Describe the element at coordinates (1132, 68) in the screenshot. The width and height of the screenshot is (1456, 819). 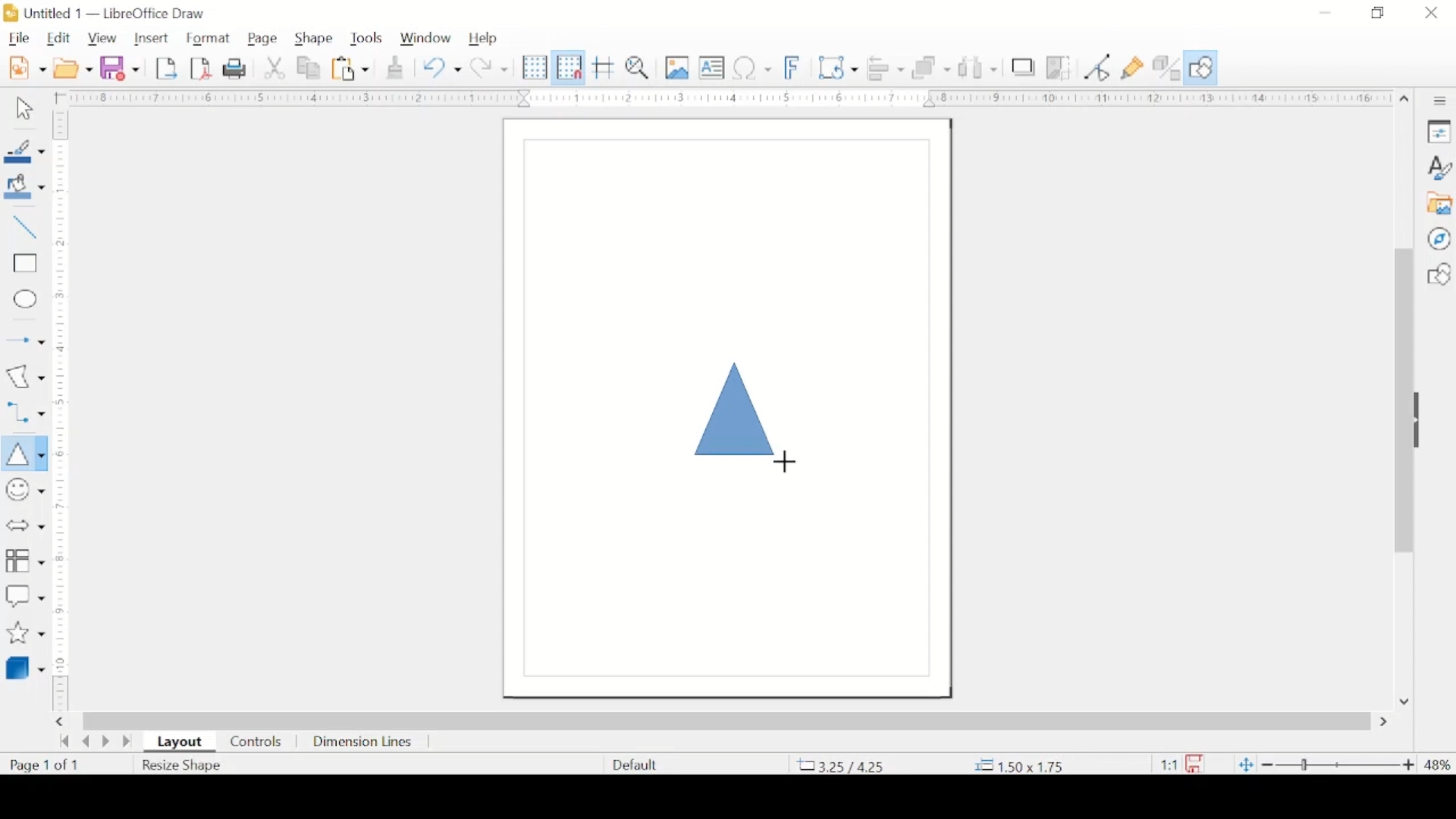
I see `show gluepoint functions` at that location.